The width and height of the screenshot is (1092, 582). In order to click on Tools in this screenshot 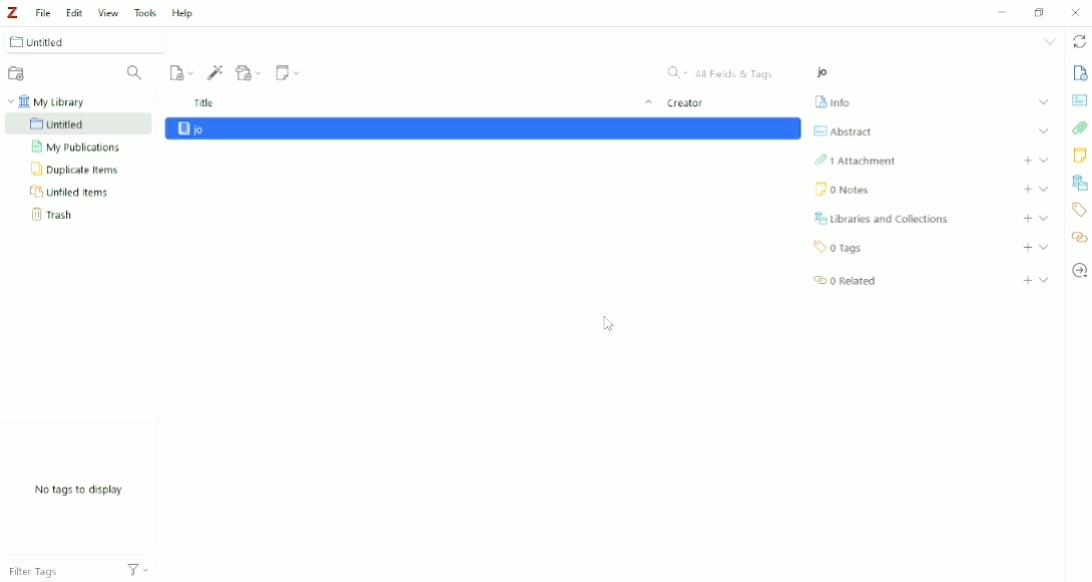, I will do `click(145, 12)`.